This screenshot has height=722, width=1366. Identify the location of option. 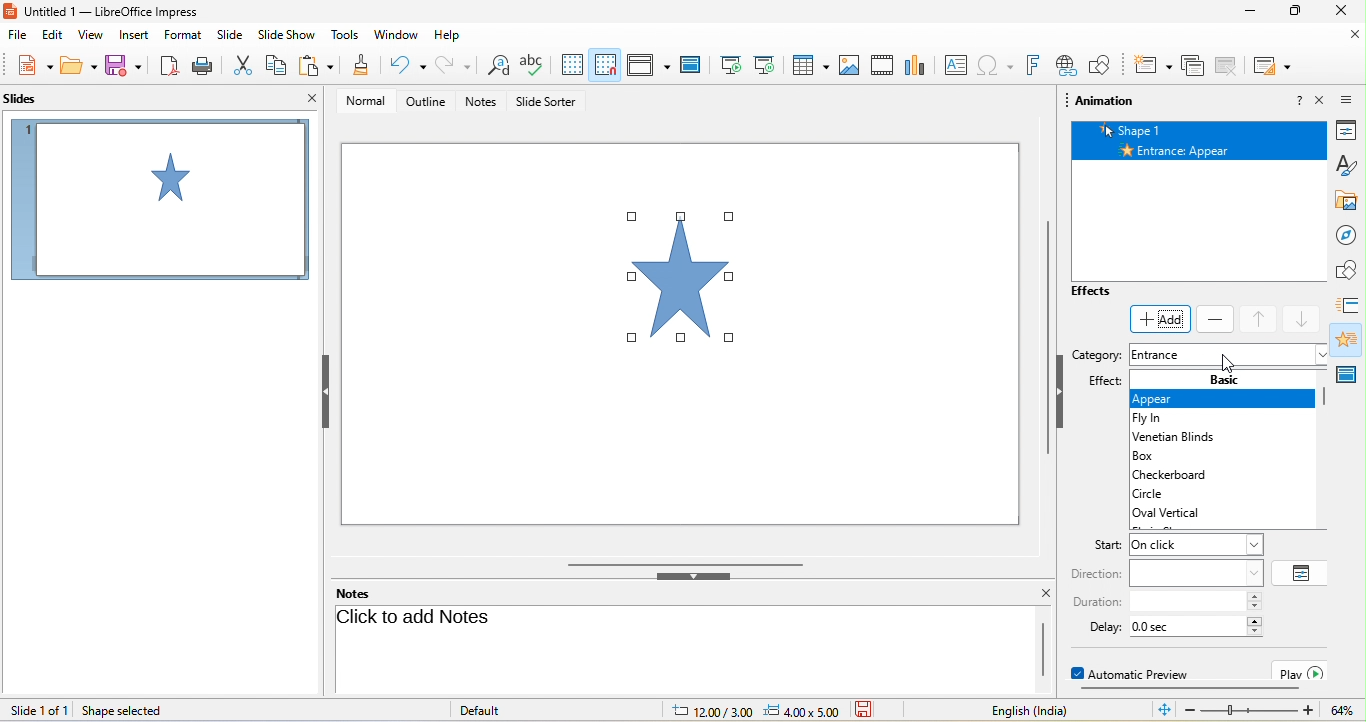
(1302, 572).